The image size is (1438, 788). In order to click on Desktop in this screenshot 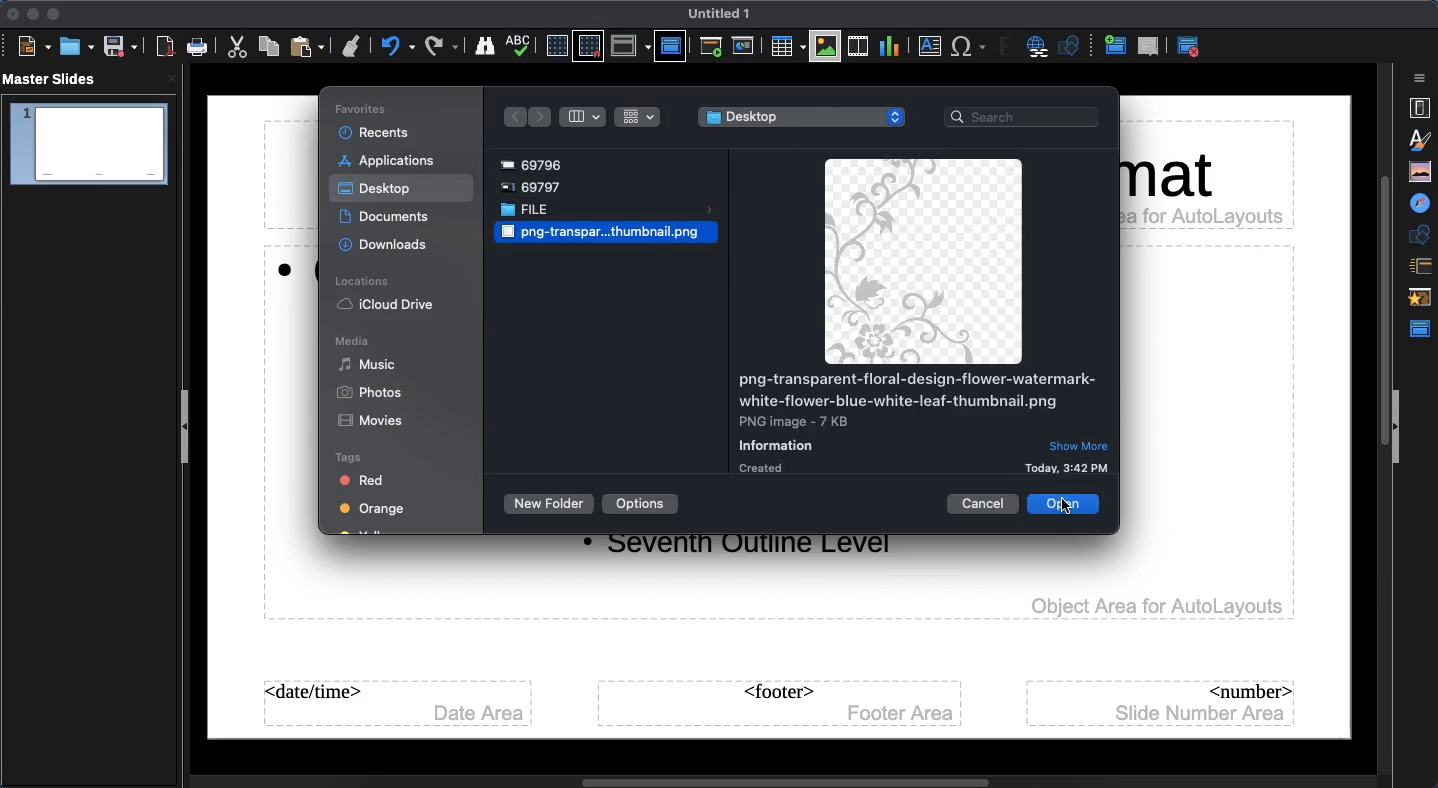, I will do `click(803, 117)`.